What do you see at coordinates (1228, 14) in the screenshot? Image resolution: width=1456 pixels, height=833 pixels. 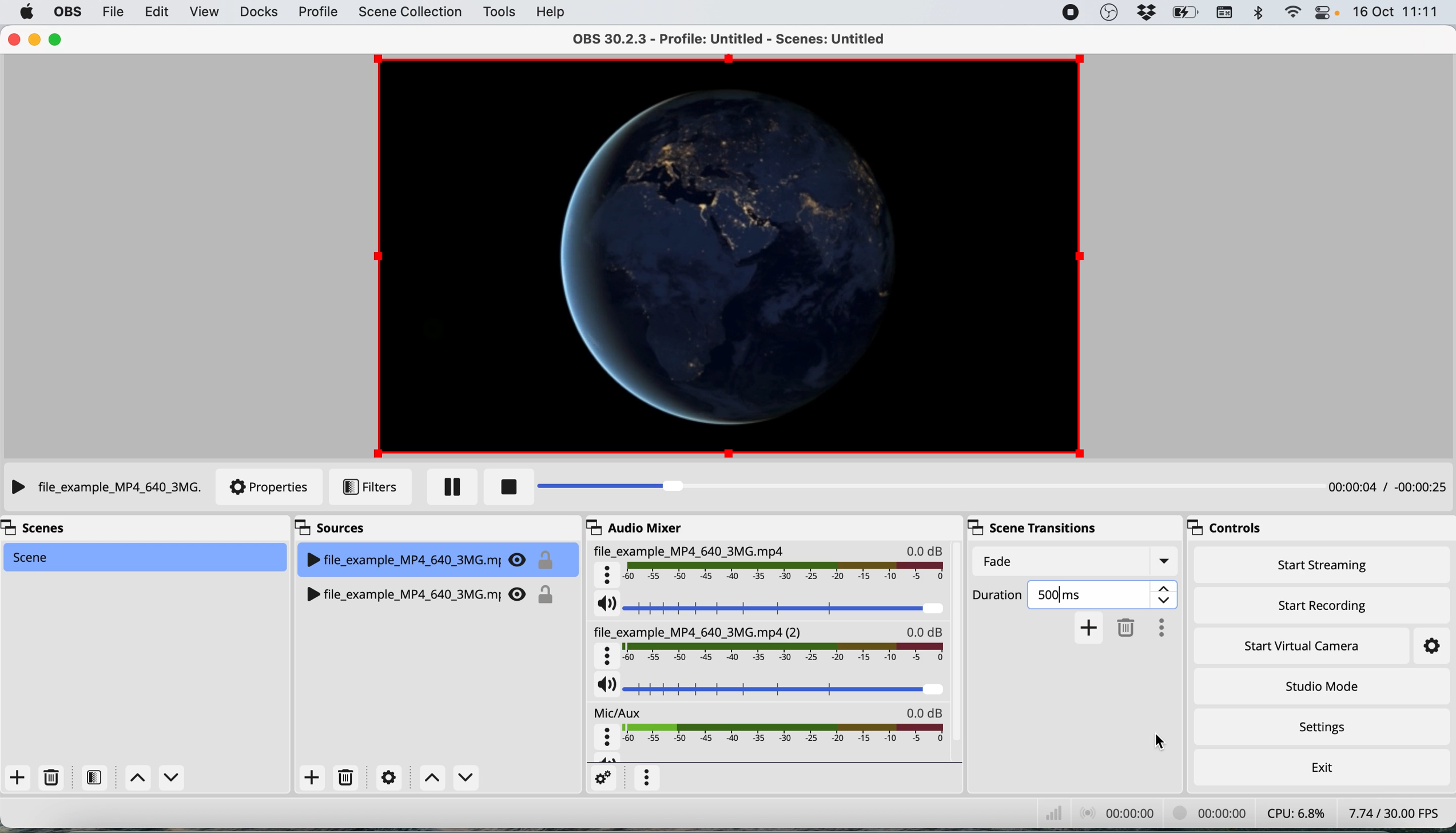 I see `keyboard` at bounding box center [1228, 14].